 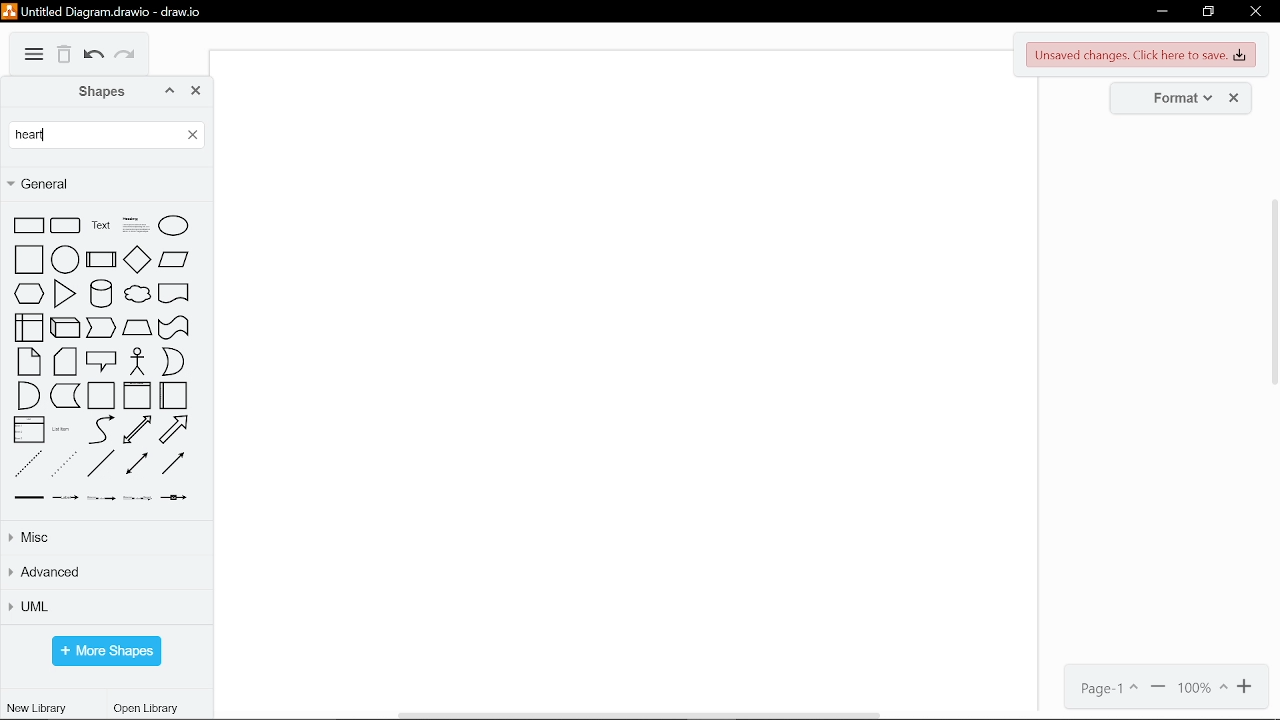 What do you see at coordinates (1175, 97) in the screenshot?
I see `format` at bounding box center [1175, 97].